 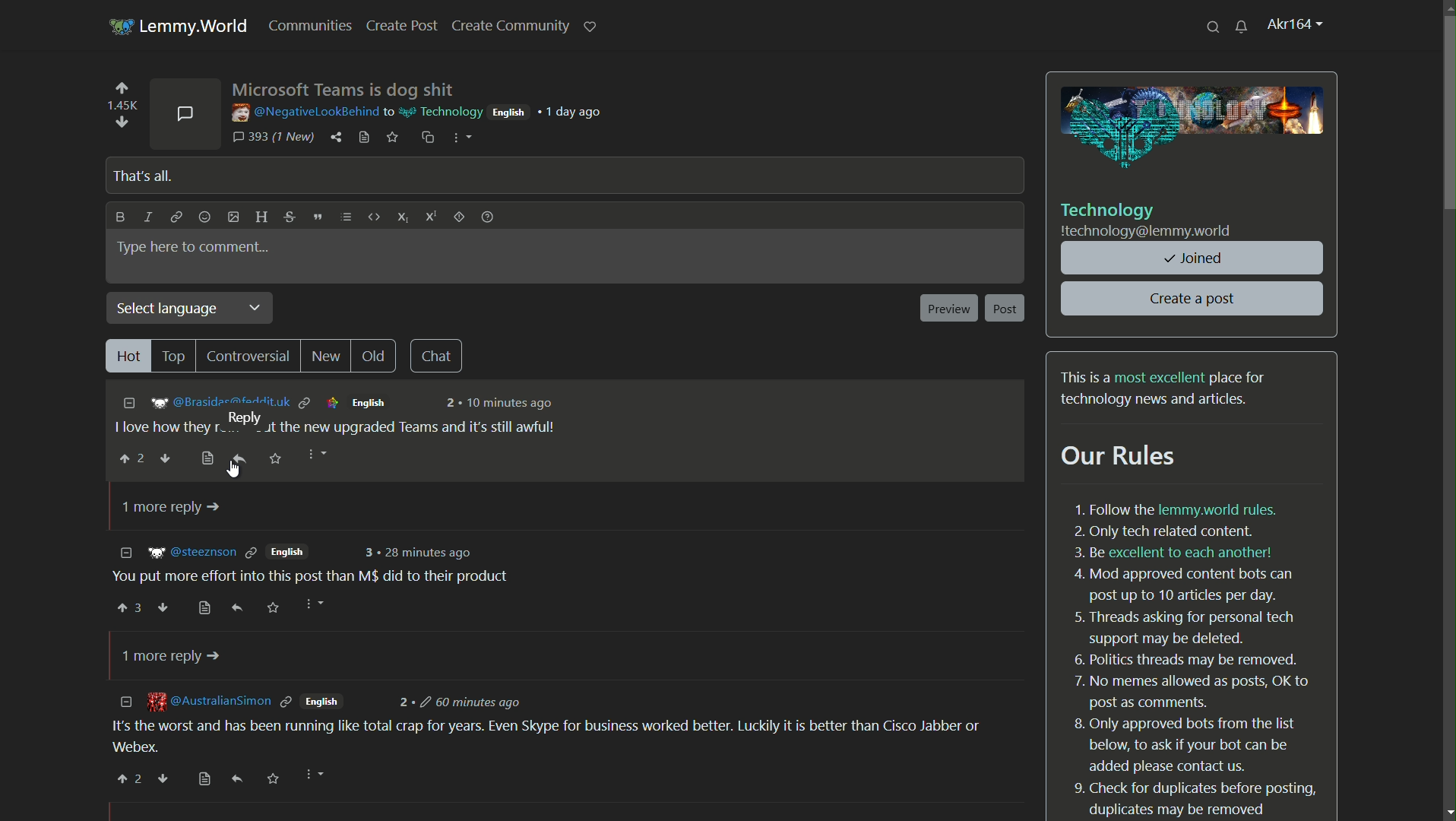 I want to click on downvote, so click(x=163, y=778).